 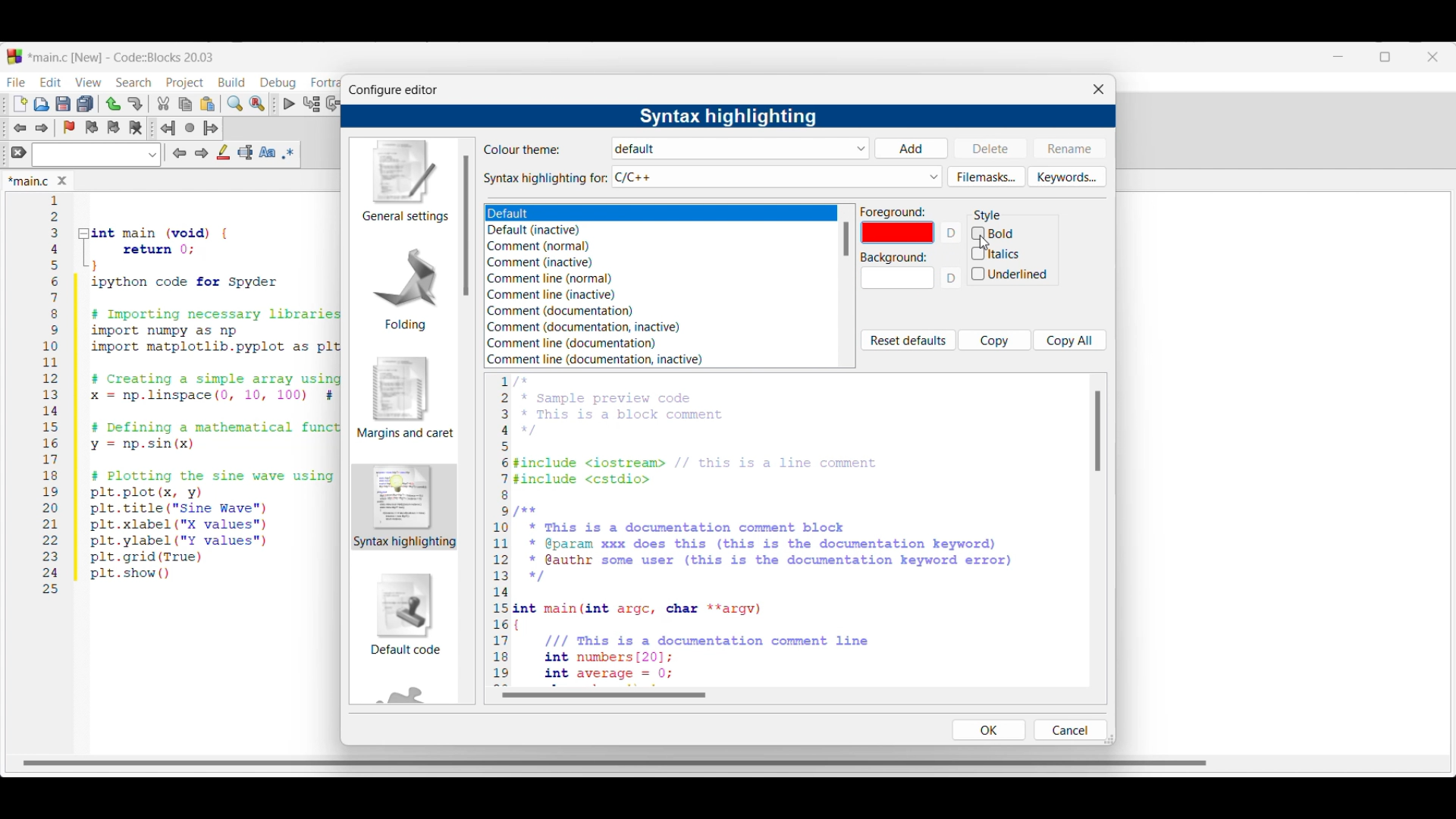 What do you see at coordinates (164, 103) in the screenshot?
I see `Cut` at bounding box center [164, 103].